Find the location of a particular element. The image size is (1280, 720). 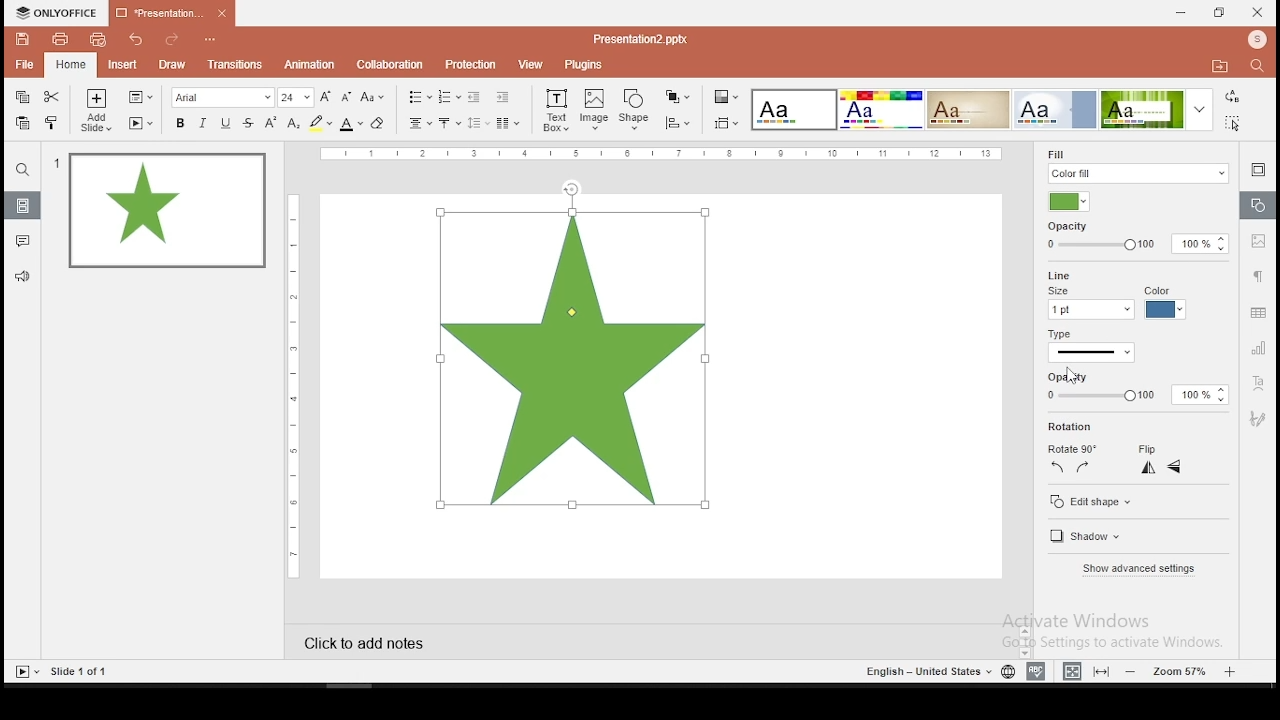

theme is located at coordinates (968, 110).